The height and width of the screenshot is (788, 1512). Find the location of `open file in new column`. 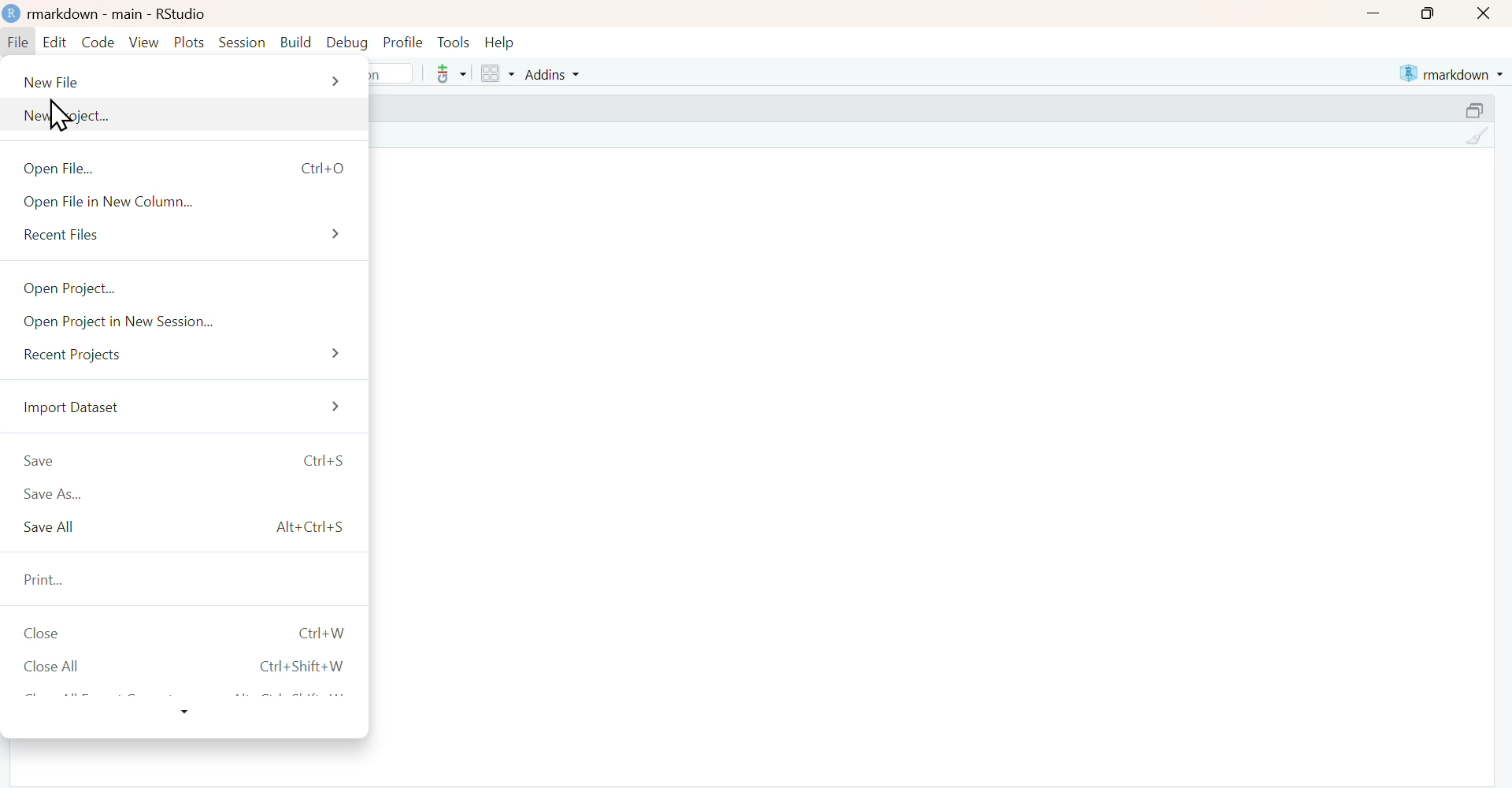

open file in new column is located at coordinates (191, 202).